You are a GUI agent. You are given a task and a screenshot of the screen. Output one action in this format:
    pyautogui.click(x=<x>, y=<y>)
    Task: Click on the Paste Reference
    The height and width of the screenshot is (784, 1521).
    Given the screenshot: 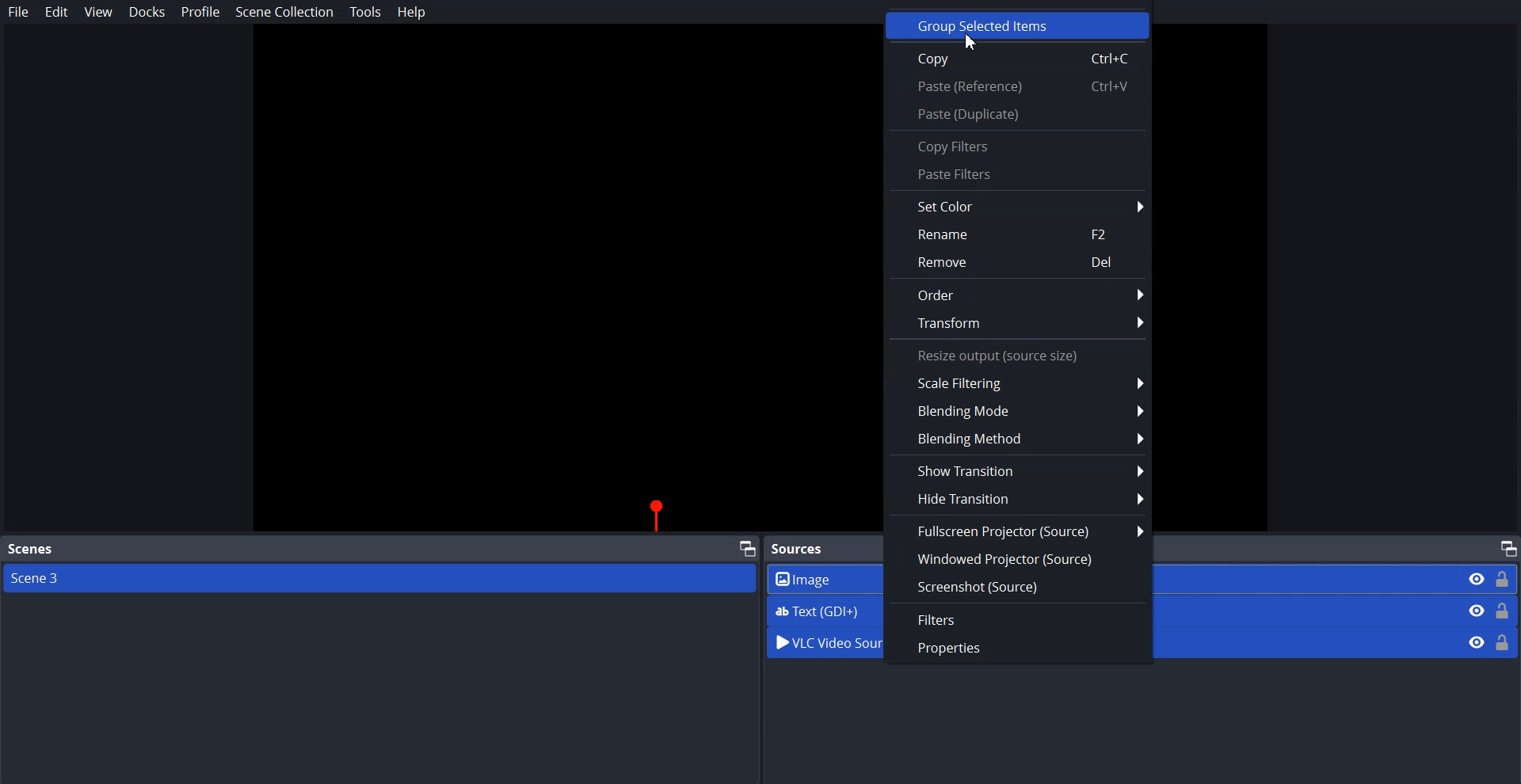 What is the action you would take?
    pyautogui.click(x=1018, y=86)
    